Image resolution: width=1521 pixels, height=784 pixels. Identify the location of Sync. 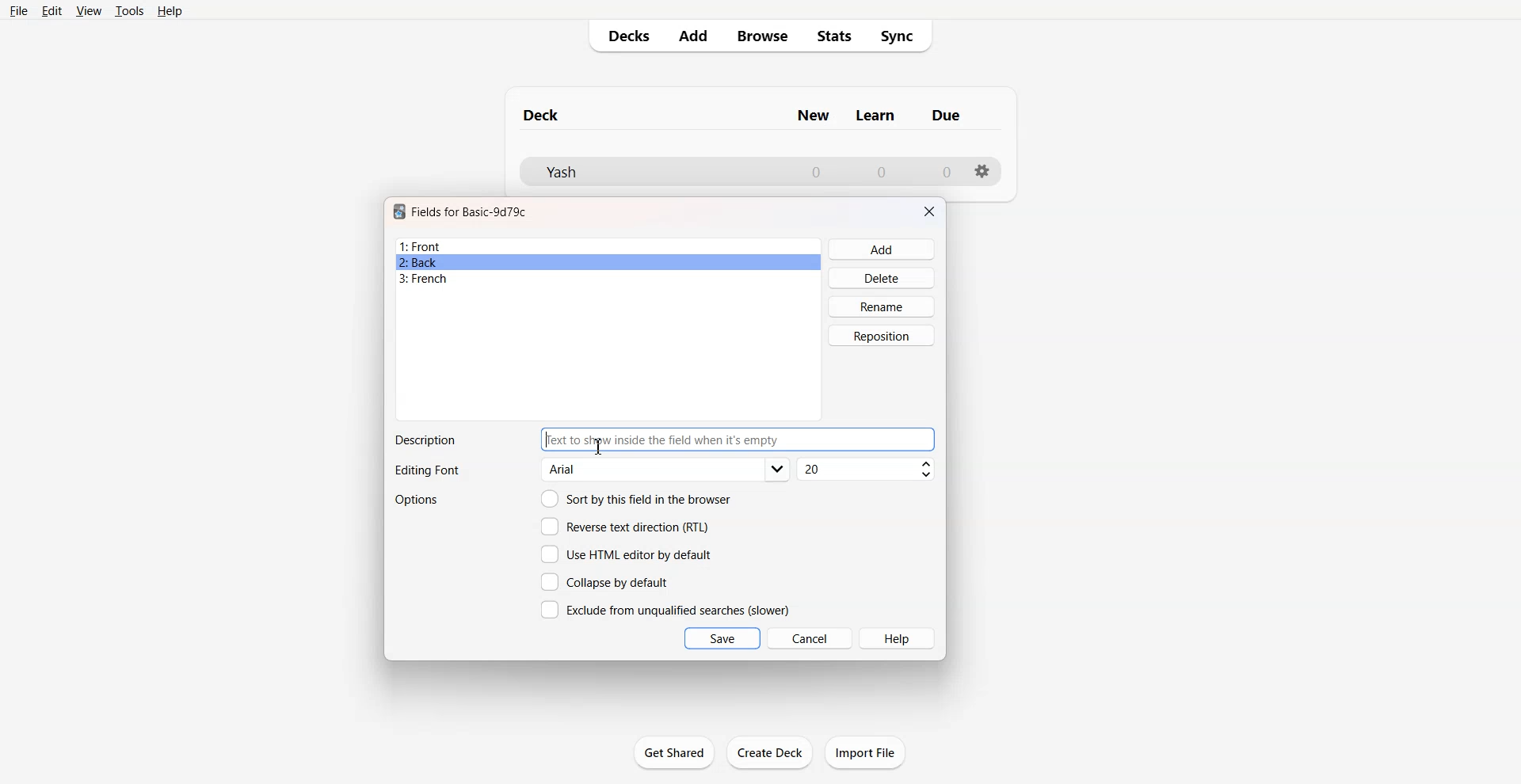
(902, 36).